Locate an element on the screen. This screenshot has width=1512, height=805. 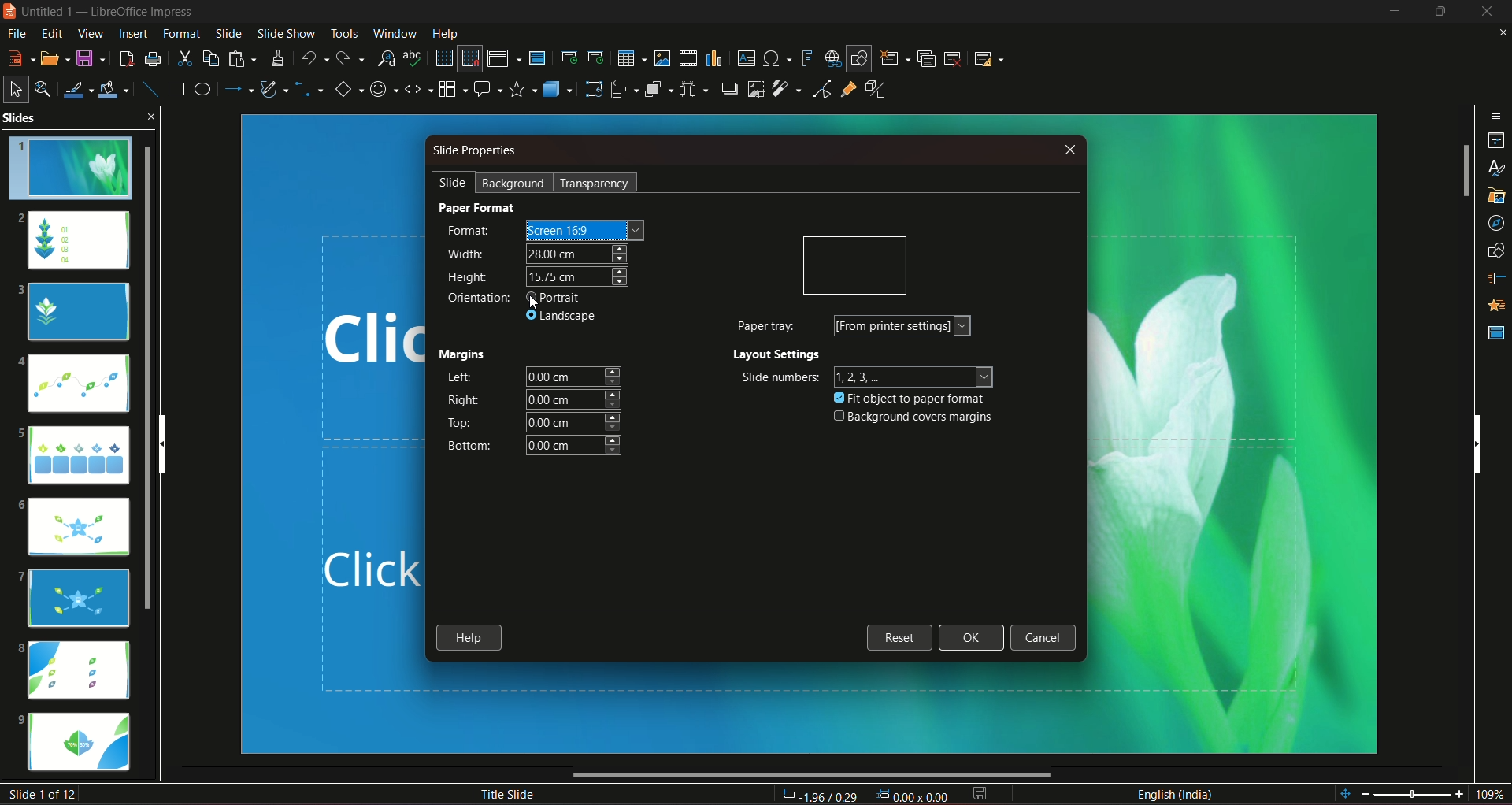
insert hyperlink is located at coordinates (829, 57).